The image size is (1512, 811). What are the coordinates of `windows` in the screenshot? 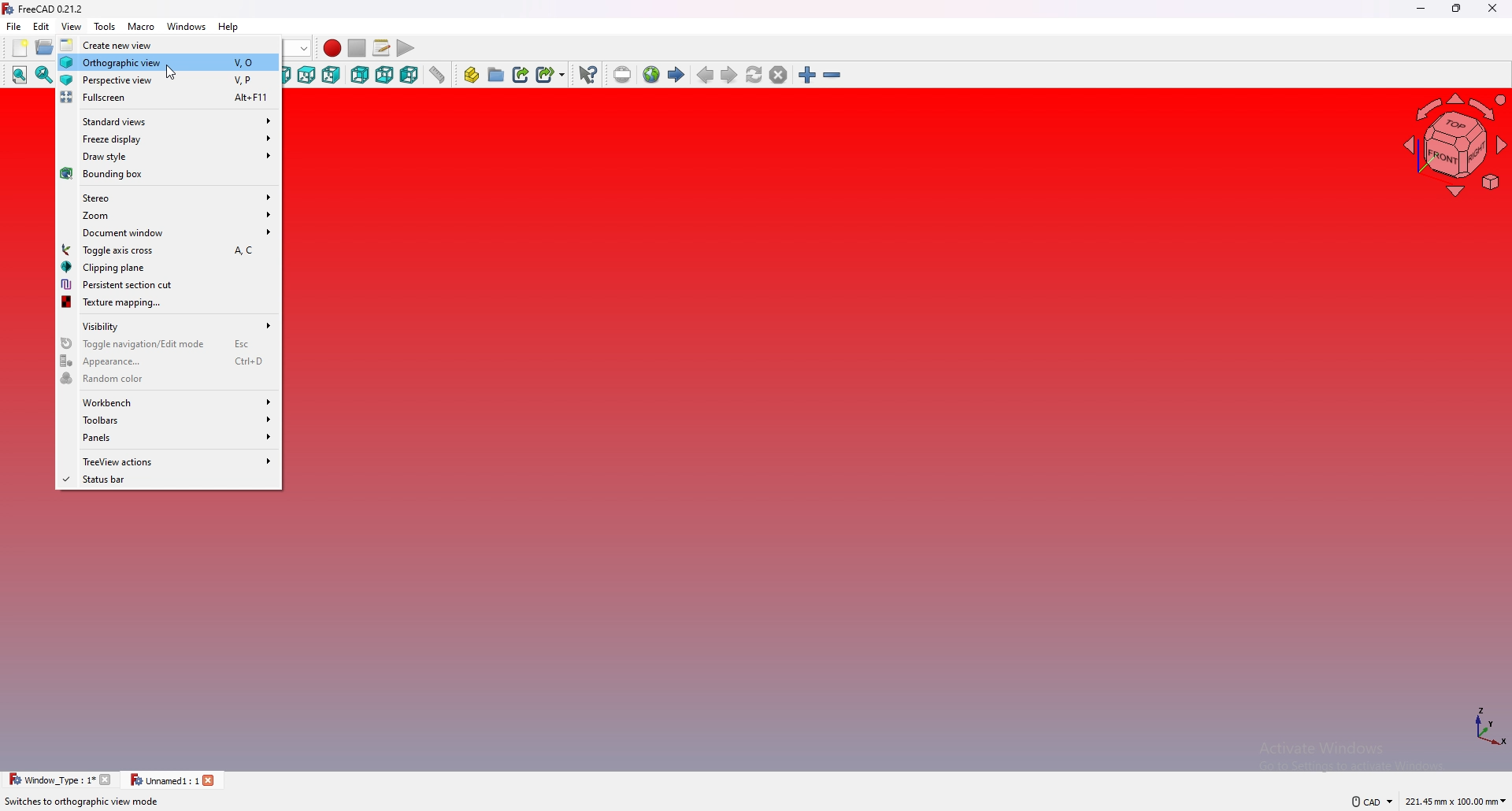 It's located at (187, 27).